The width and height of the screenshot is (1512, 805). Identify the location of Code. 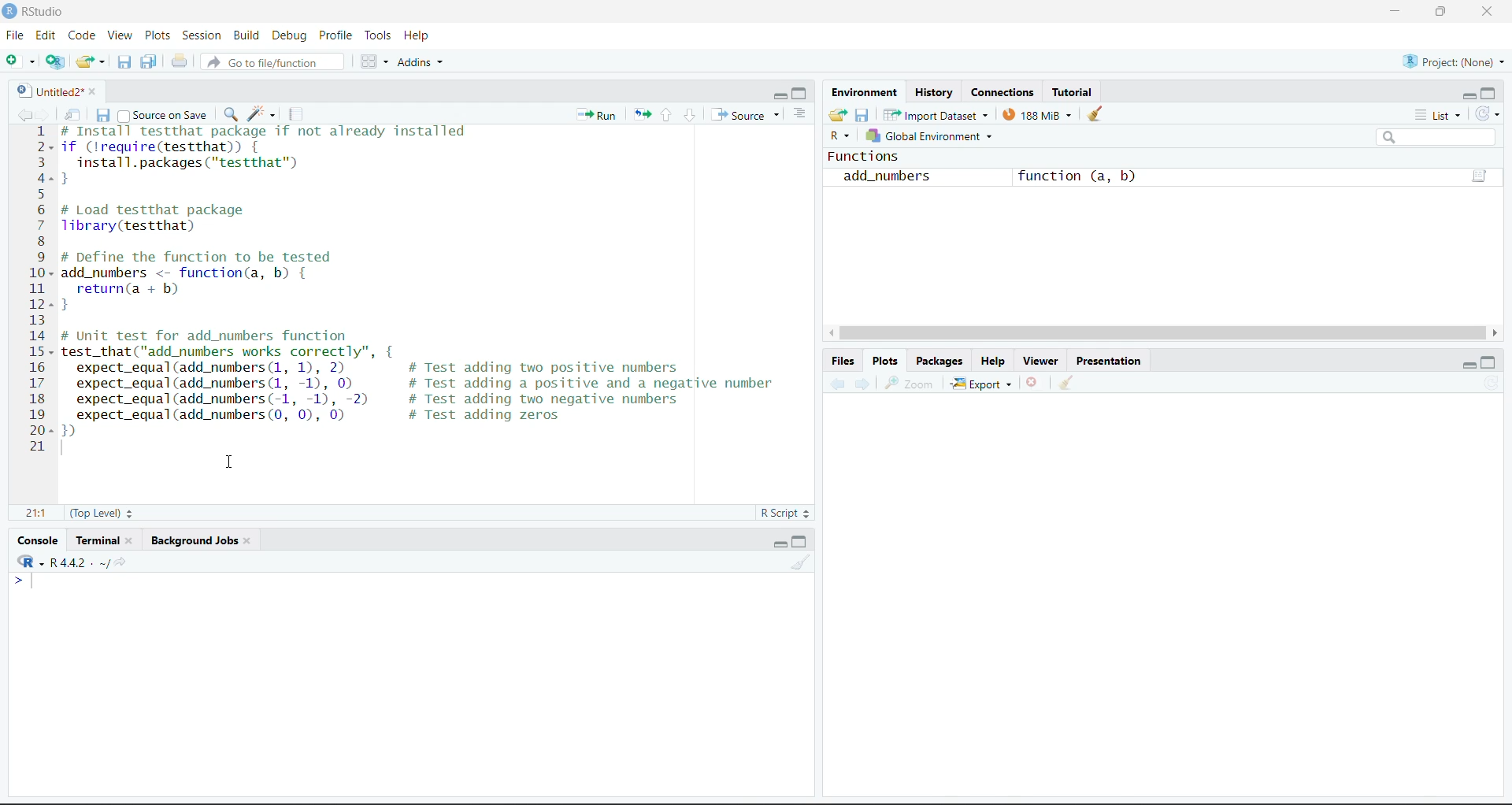
(81, 35).